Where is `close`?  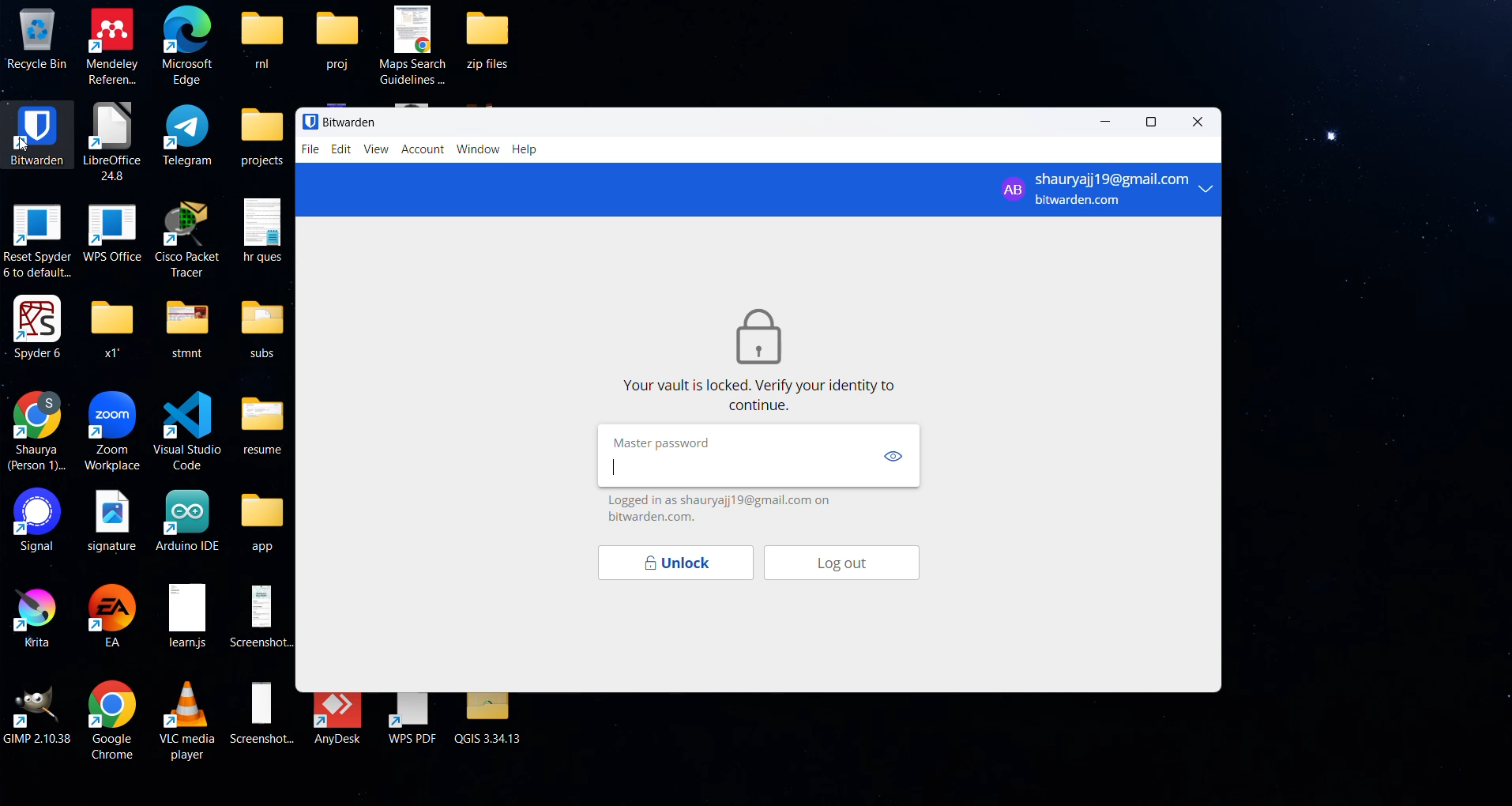
close is located at coordinates (1193, 125).